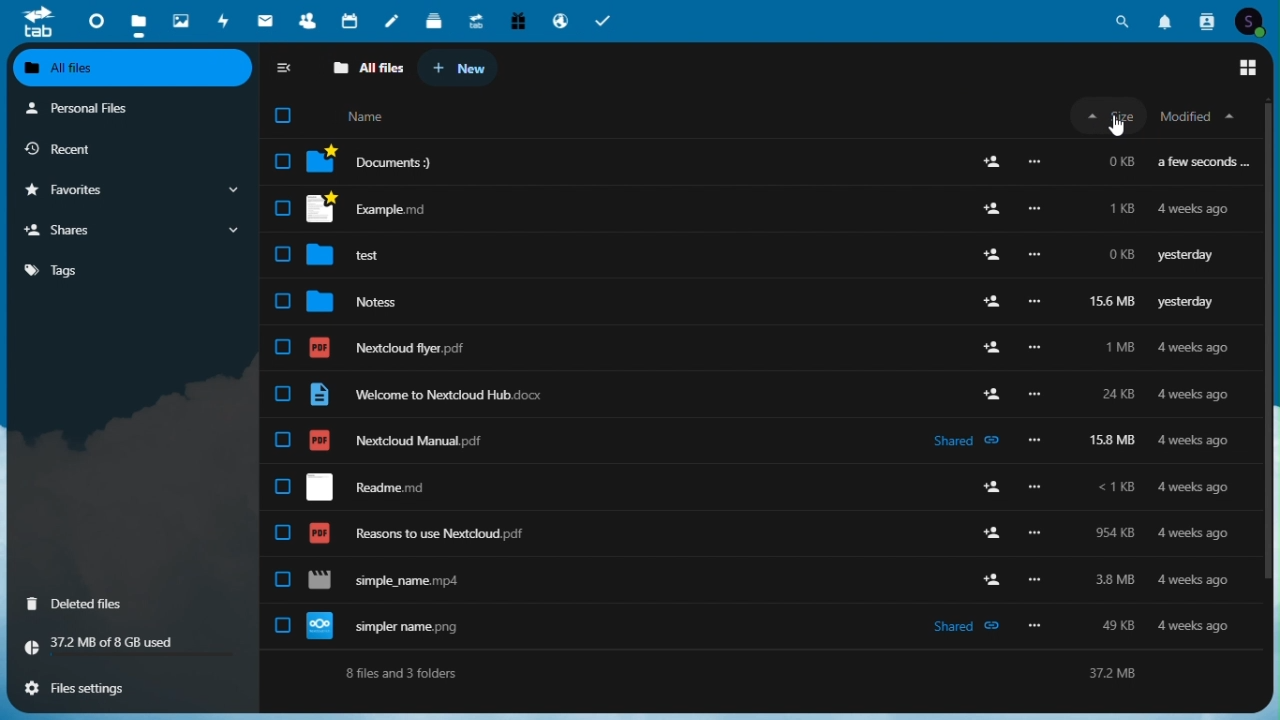 The width and height of the screenshot is (1280, 720). I want to click on Nextcloud Manual pdf, so click(756, 445).